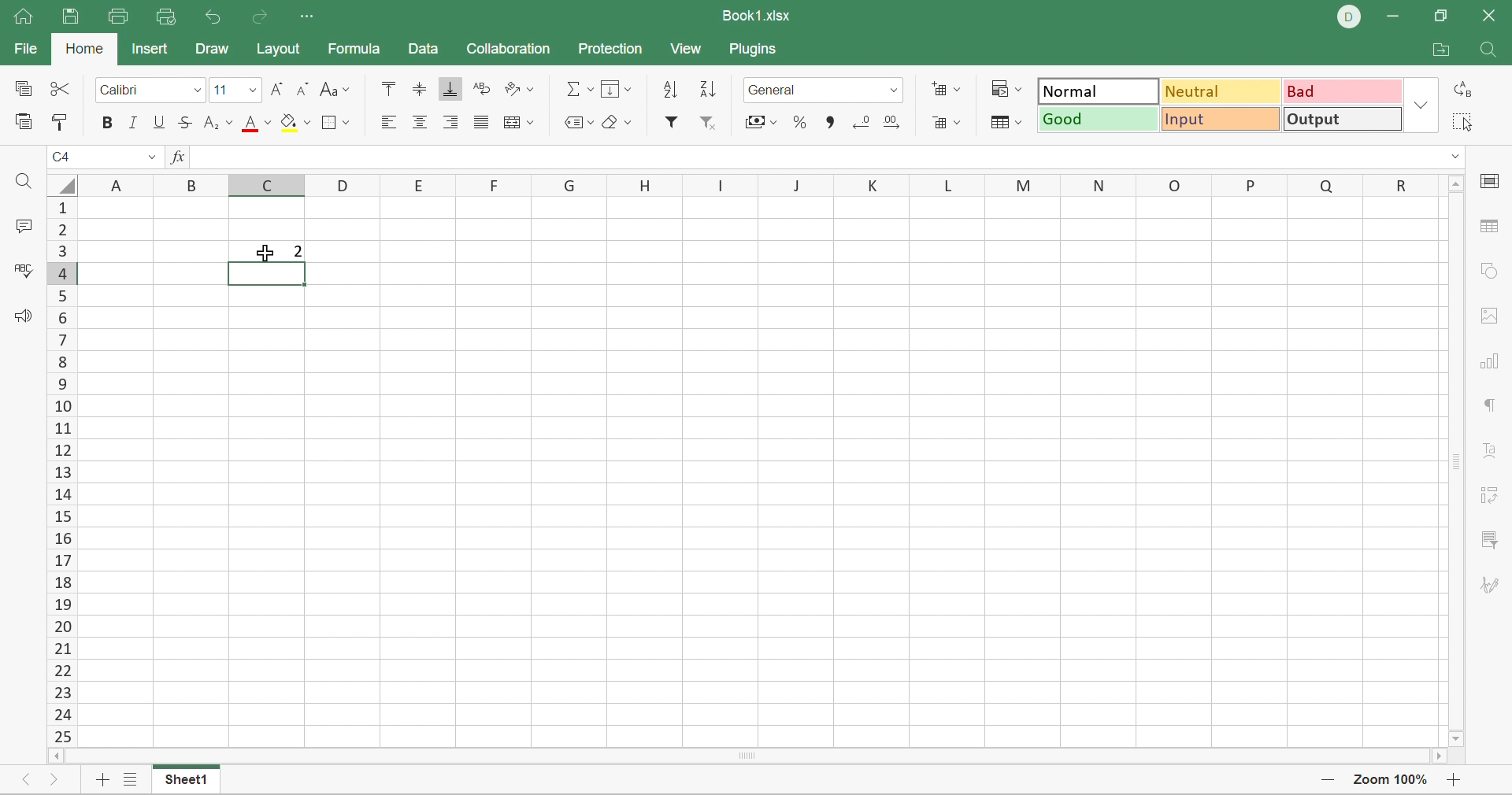  Describe the element at coordinates (1218, 93) in the screenshot. I see `Neutral` at that location.